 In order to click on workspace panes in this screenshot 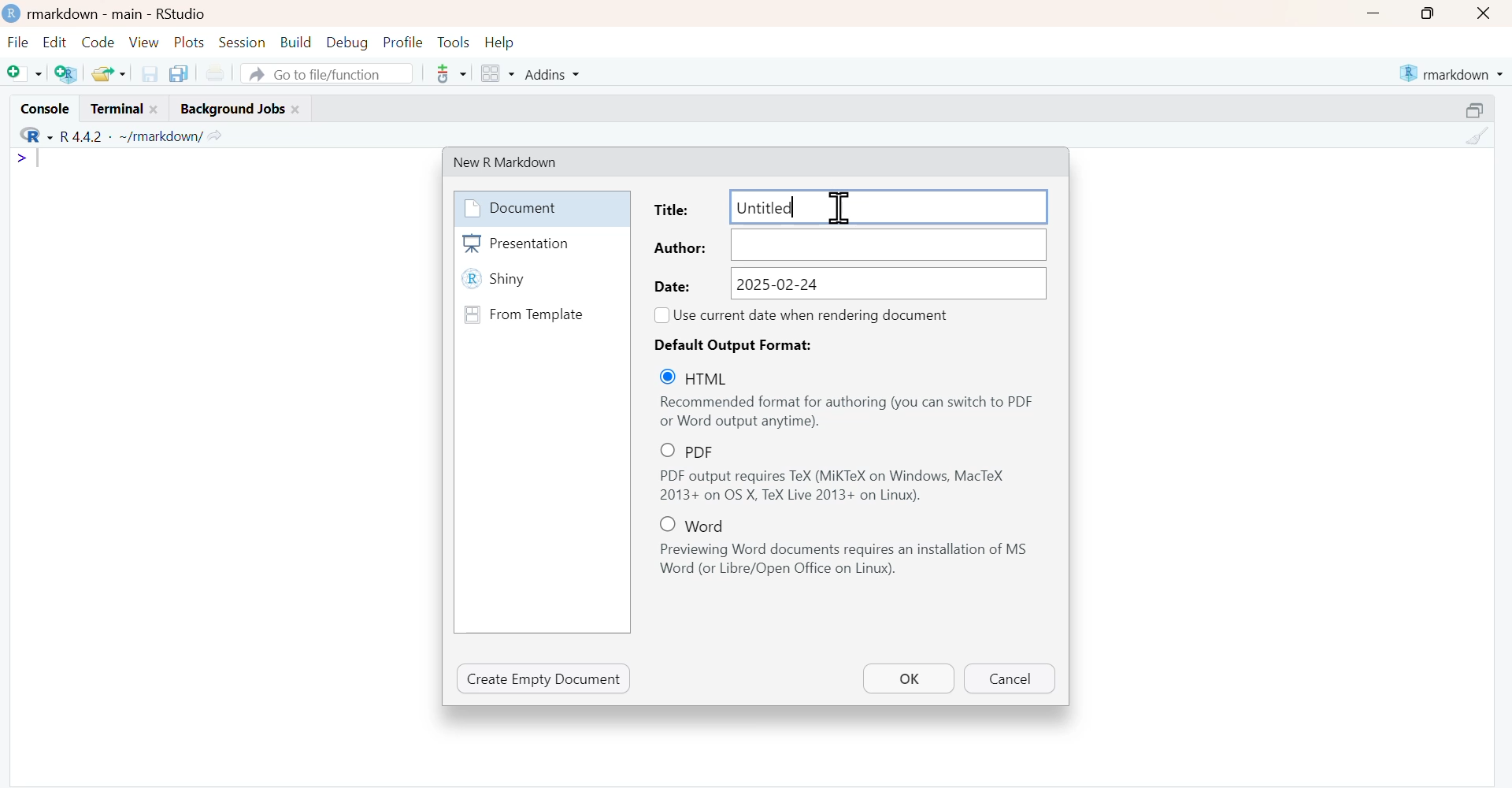, I will do `click(496, 73)`.